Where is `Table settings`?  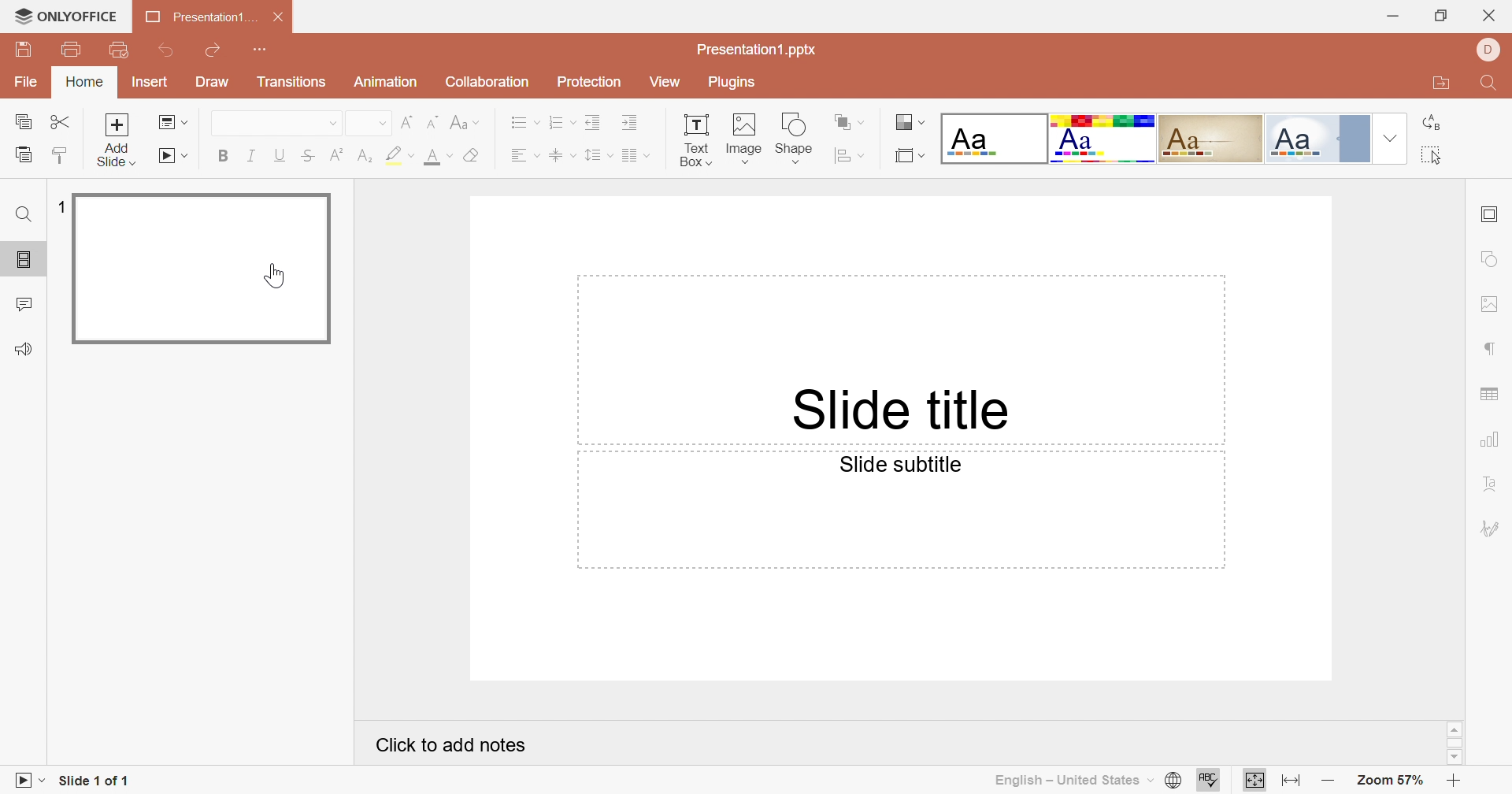
Table settings is located at coordinates (1493, 395).